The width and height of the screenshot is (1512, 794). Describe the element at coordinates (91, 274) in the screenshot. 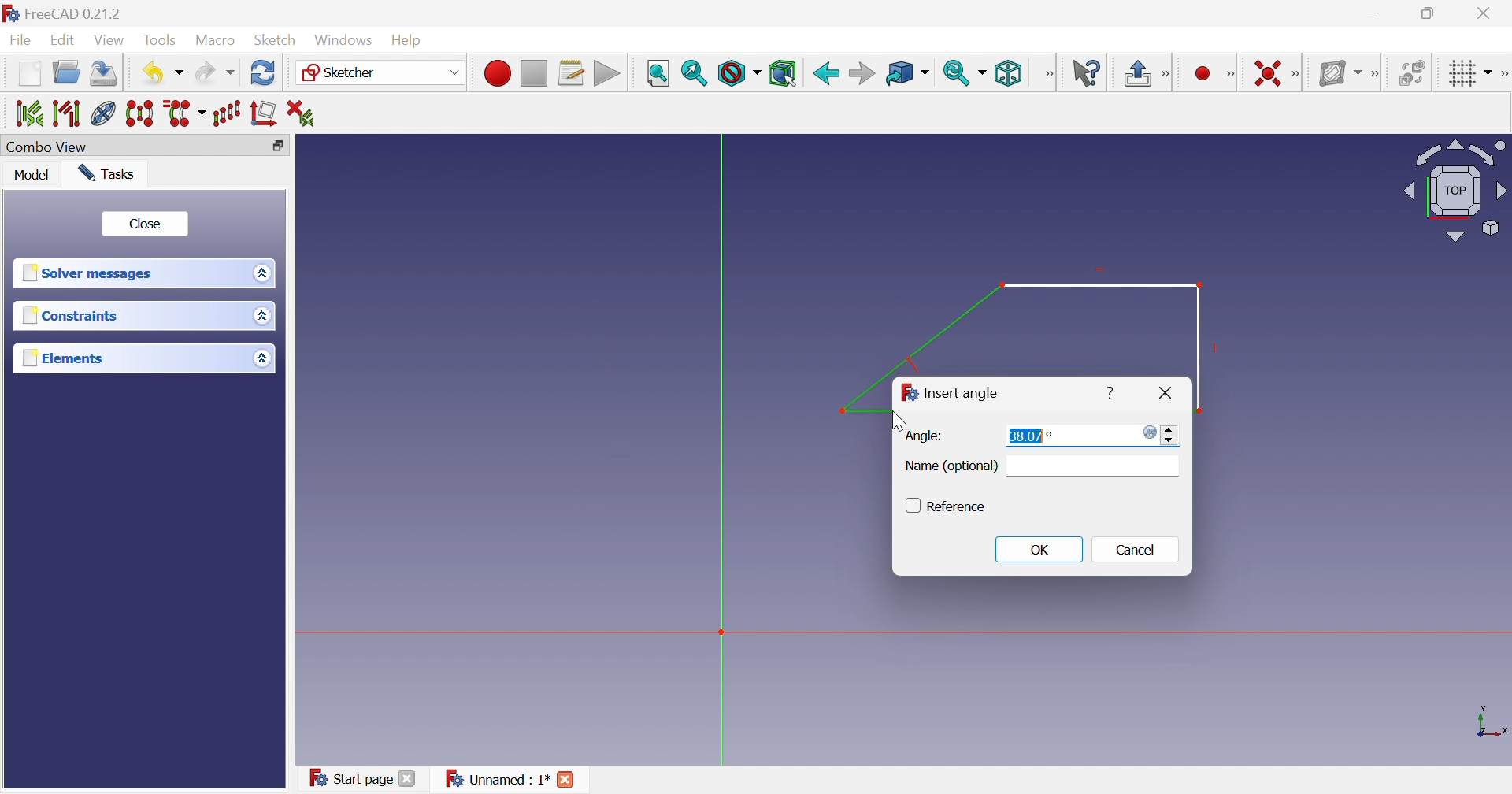

I see `Solver messages` at that location.